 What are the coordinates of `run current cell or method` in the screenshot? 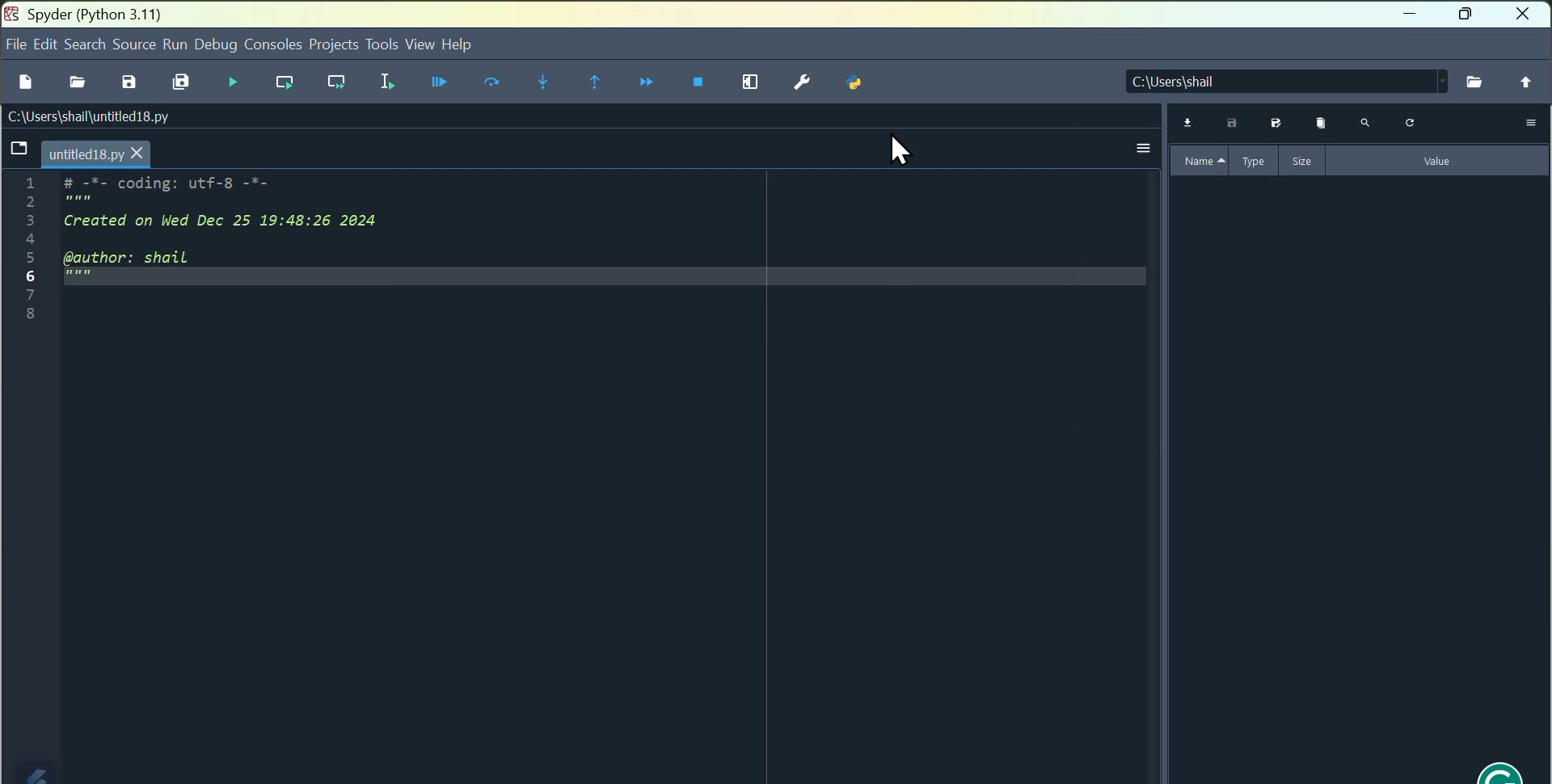 It's located at (337, 83).